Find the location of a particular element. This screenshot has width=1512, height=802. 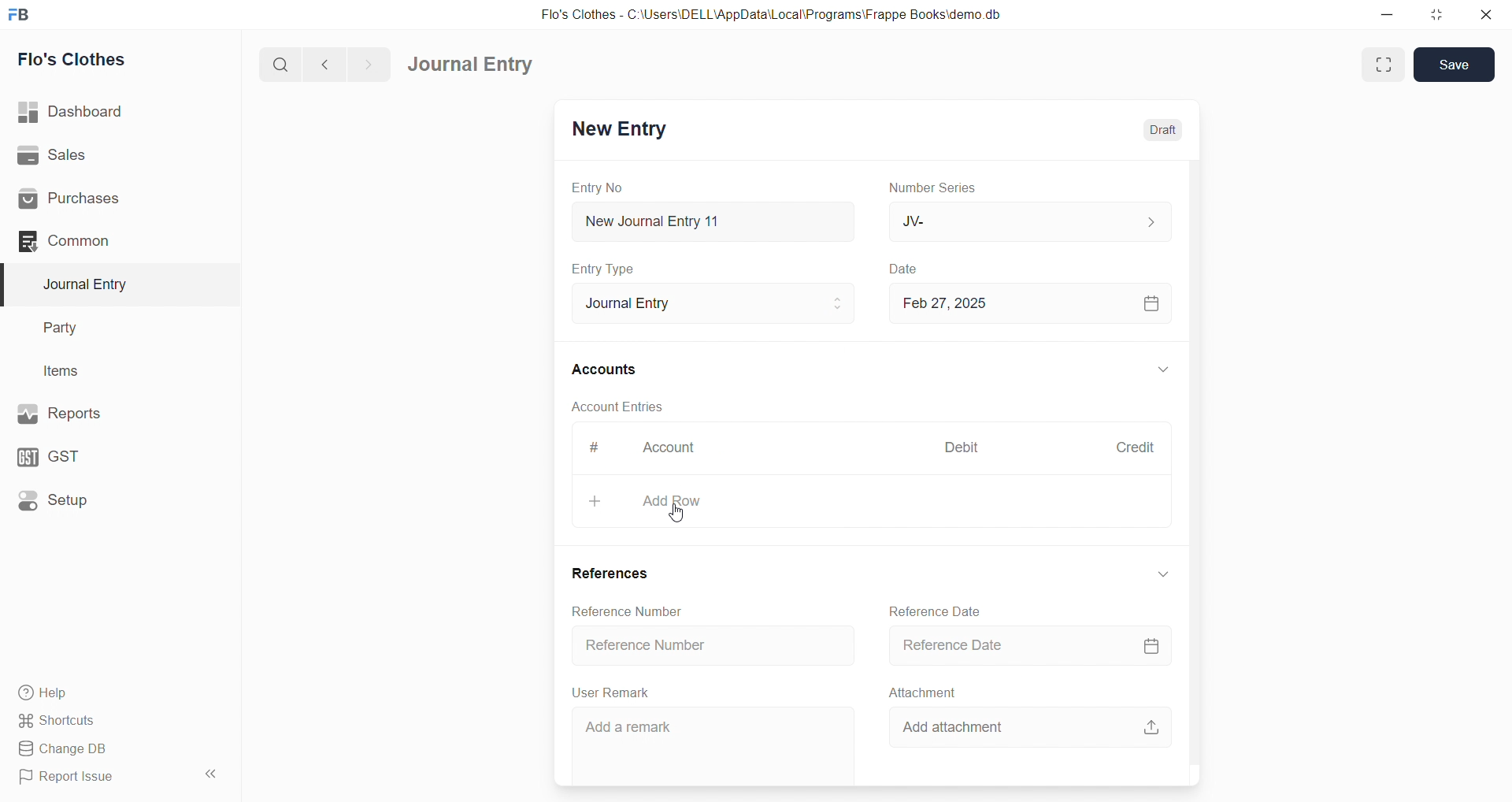

Account is located at coordinates (676, 446).